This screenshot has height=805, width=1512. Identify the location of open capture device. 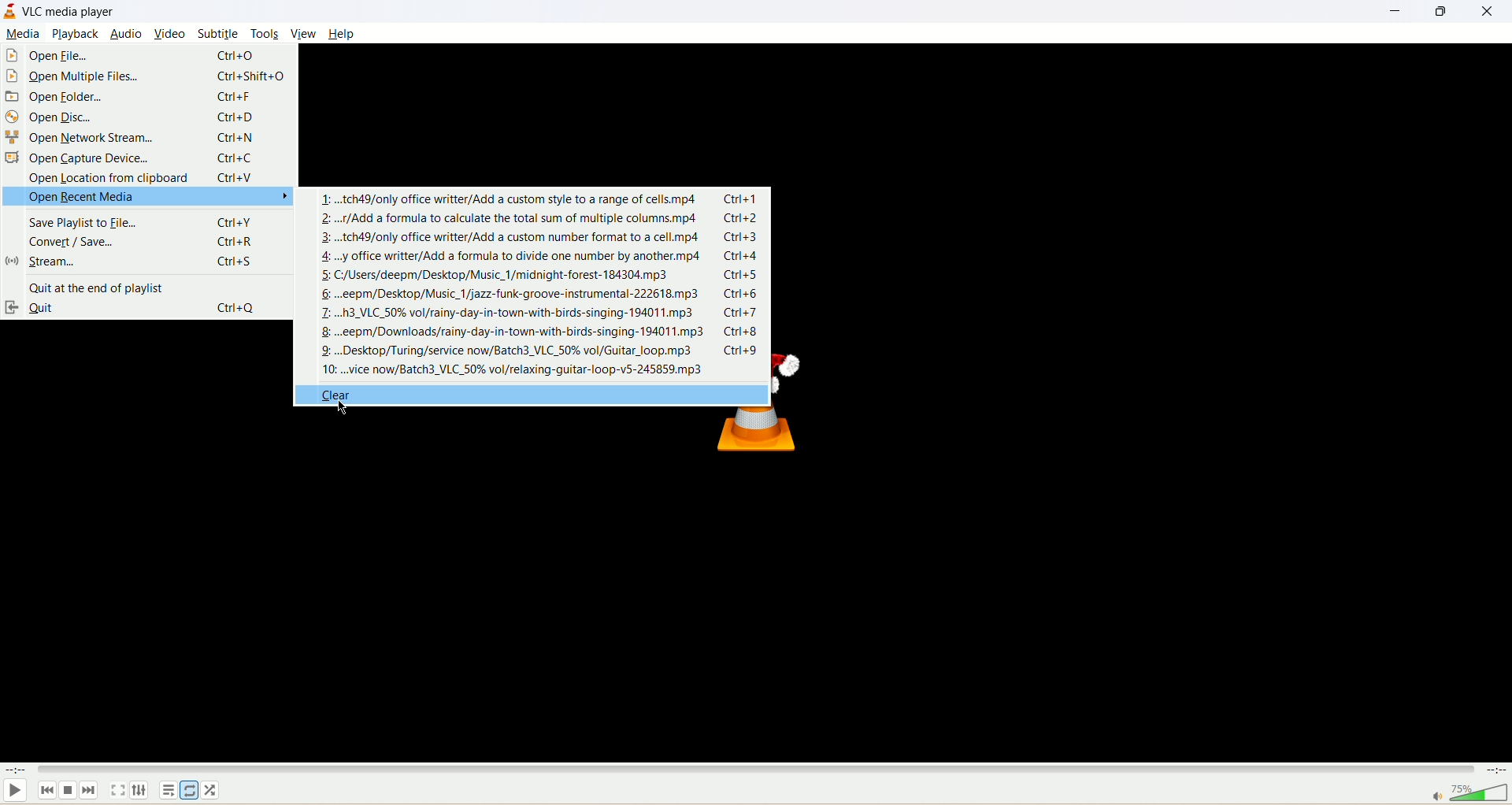
(87, 157).